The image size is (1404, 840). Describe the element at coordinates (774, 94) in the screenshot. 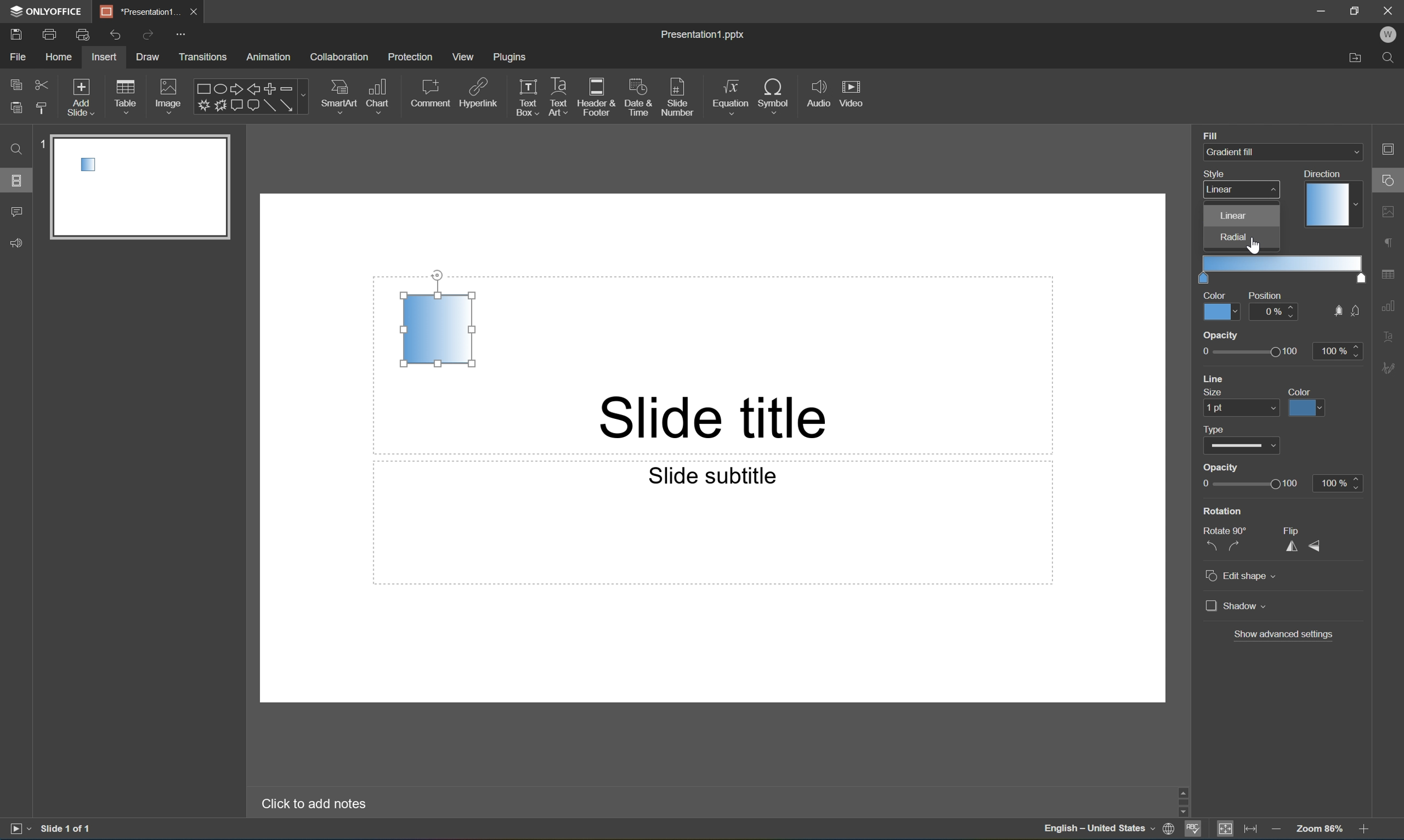

I see `Symbol` at that location.